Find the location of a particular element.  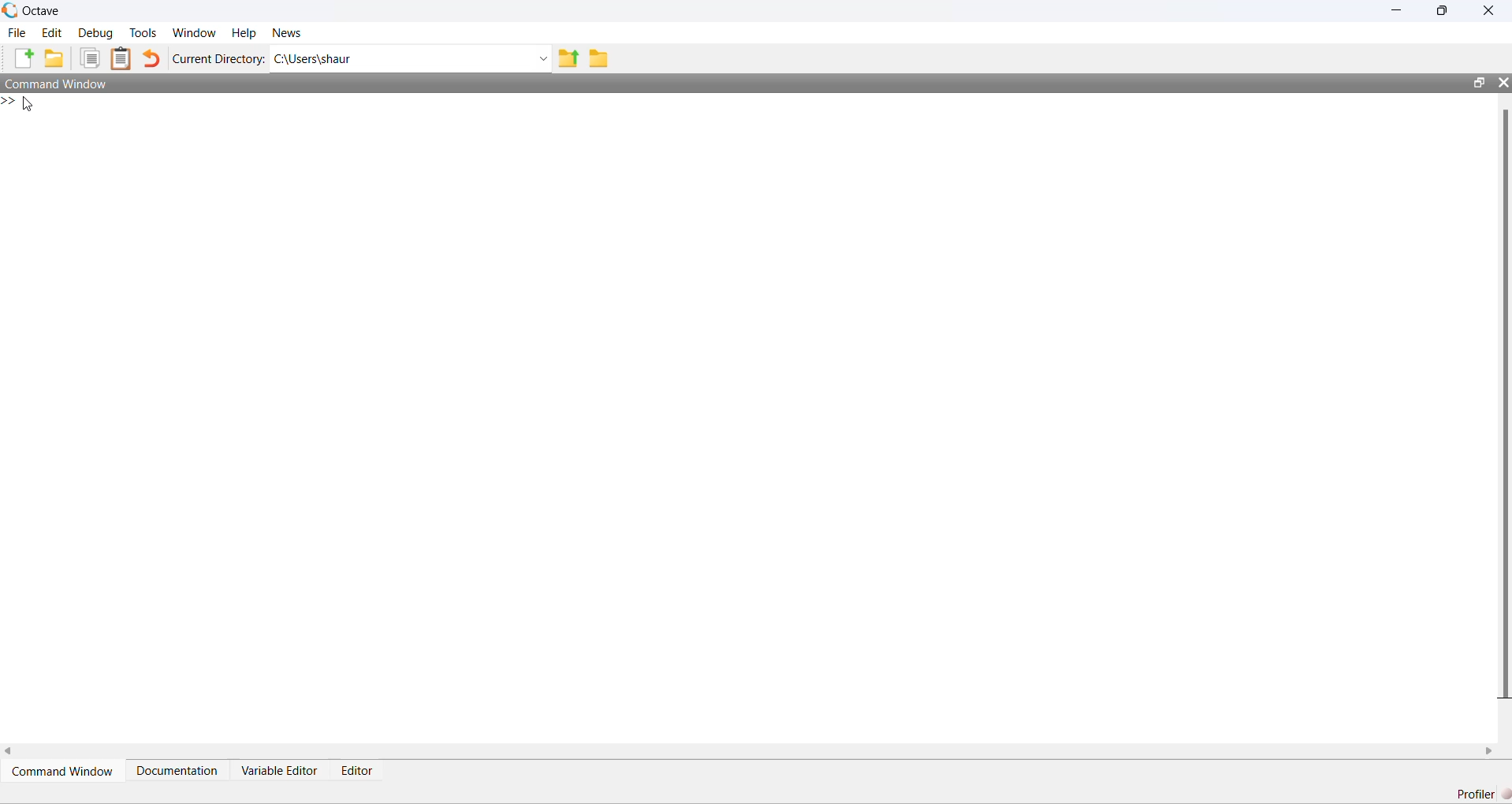

‘Command Window is located at coordinates (55, 84).